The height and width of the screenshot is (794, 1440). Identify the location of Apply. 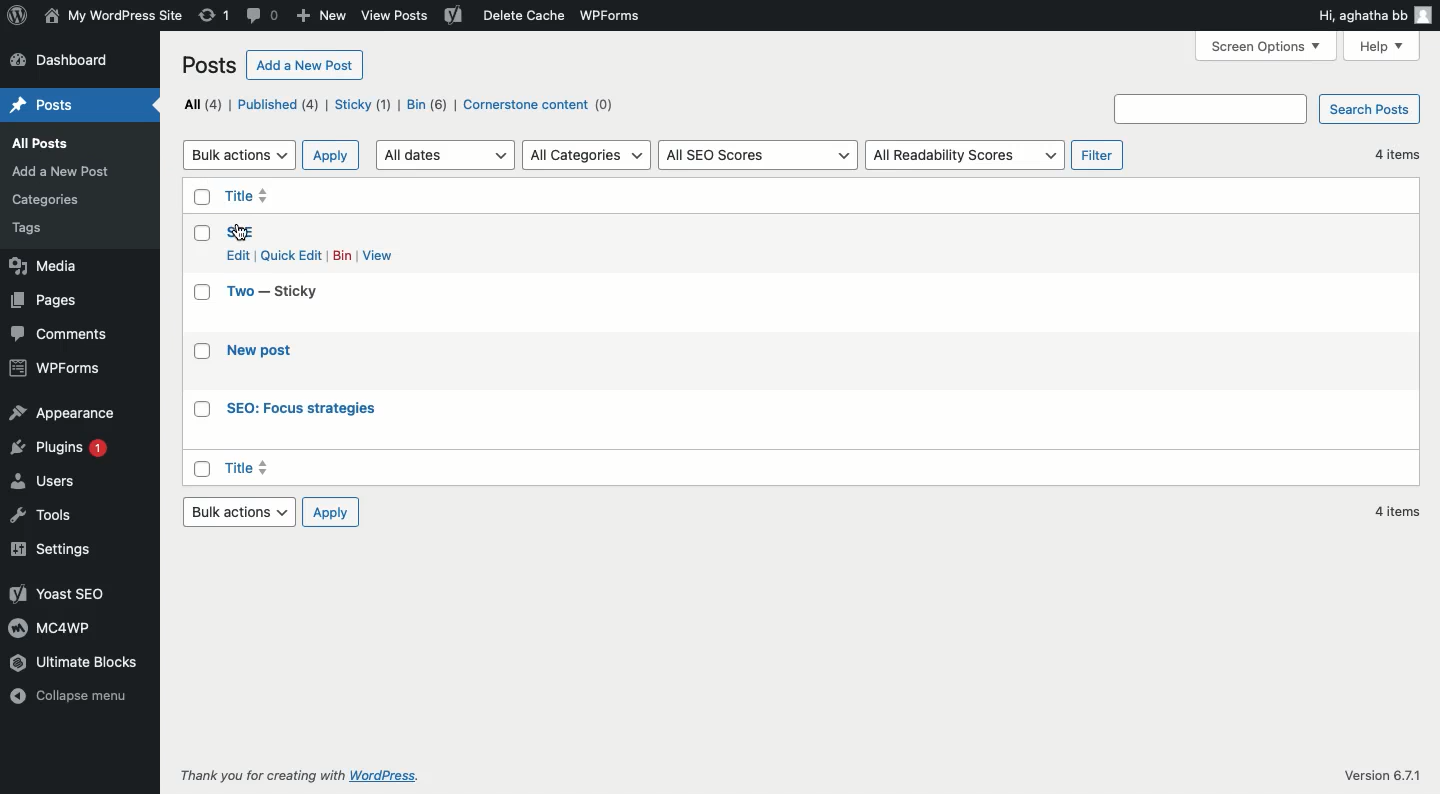
(332, 512).